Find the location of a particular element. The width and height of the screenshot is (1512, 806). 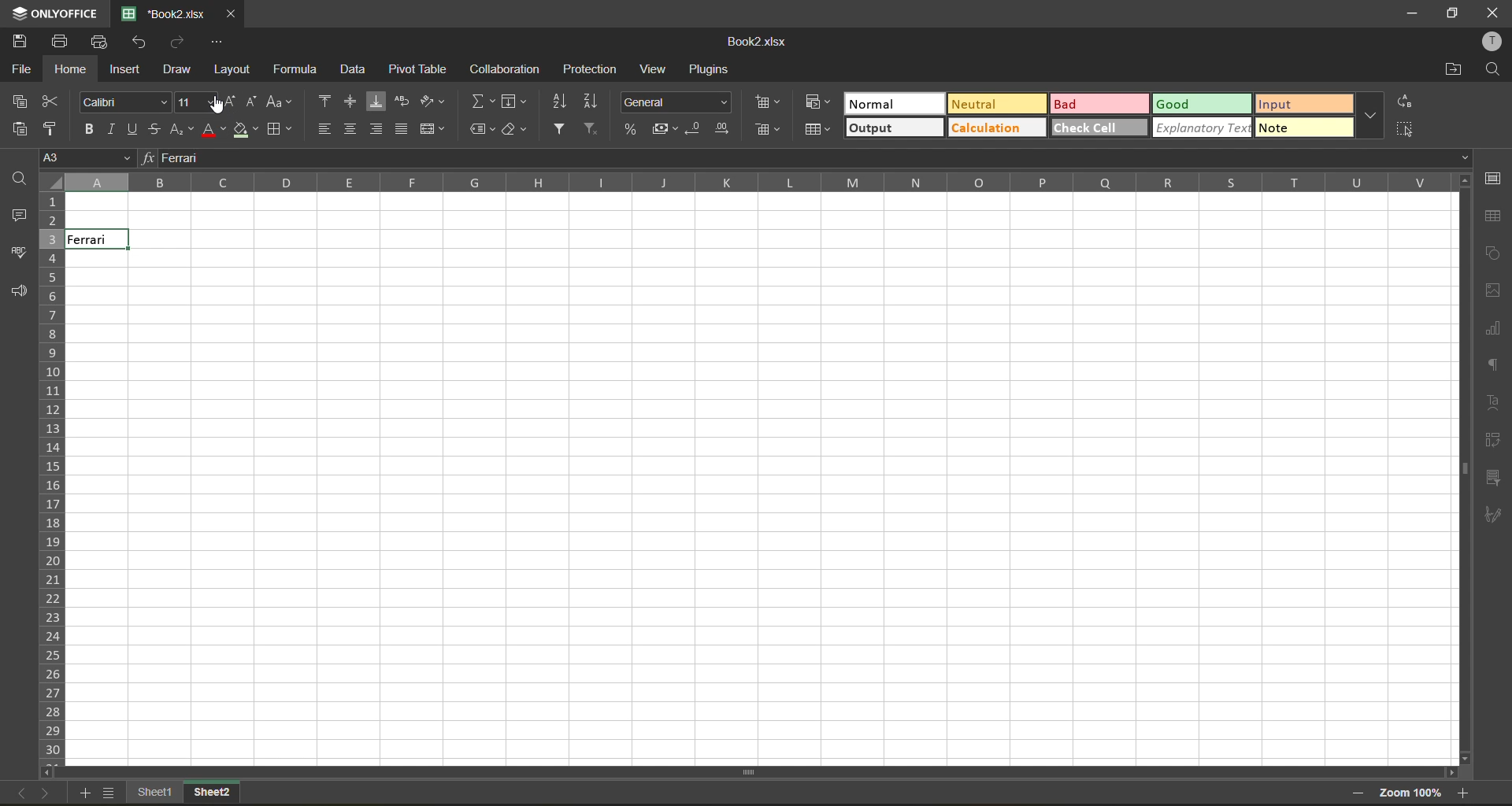

feedback is located at coordinates (19, 293).